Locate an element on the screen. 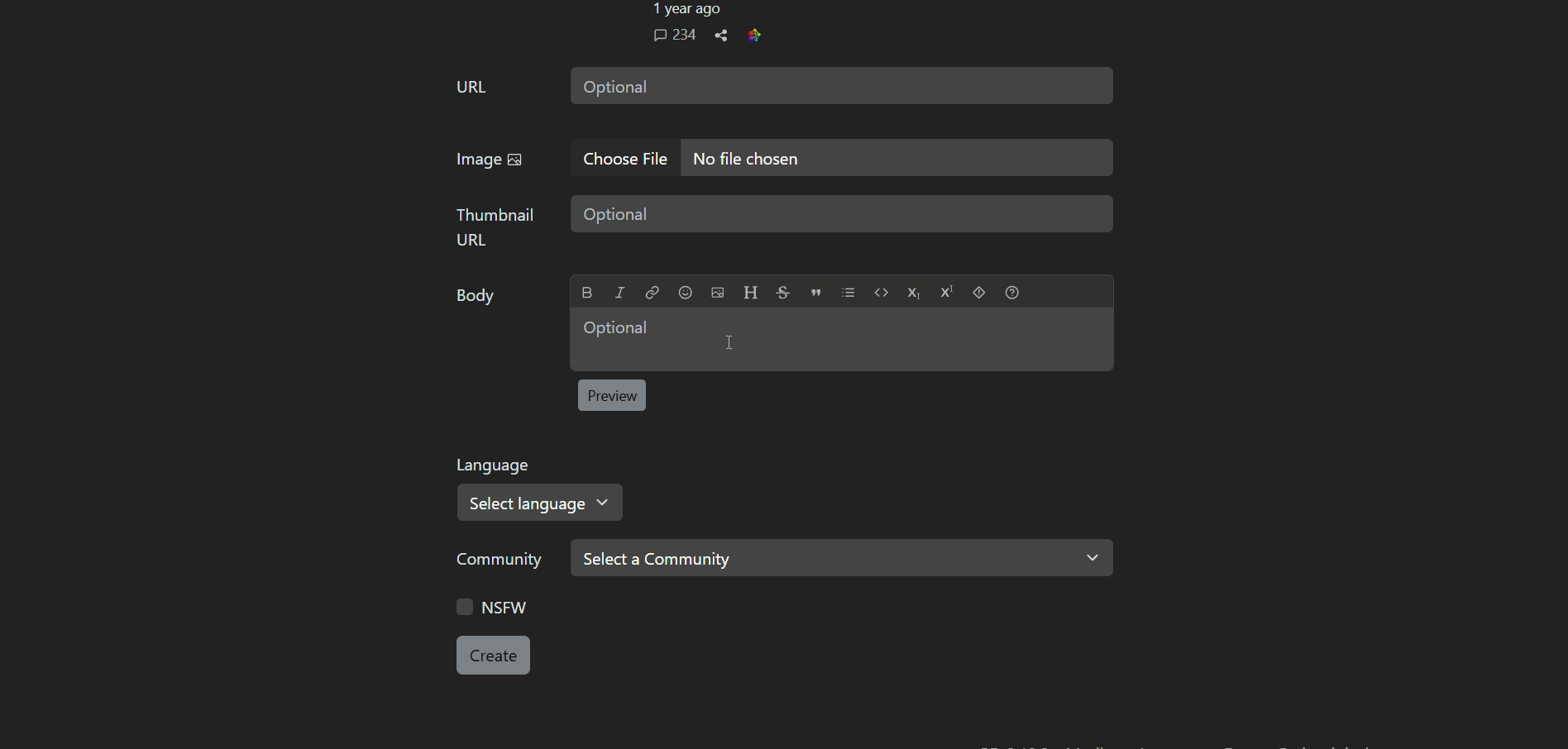 The height and width of the screenshot is (749, 1568). Emoji is located at coordinates (685, 293).